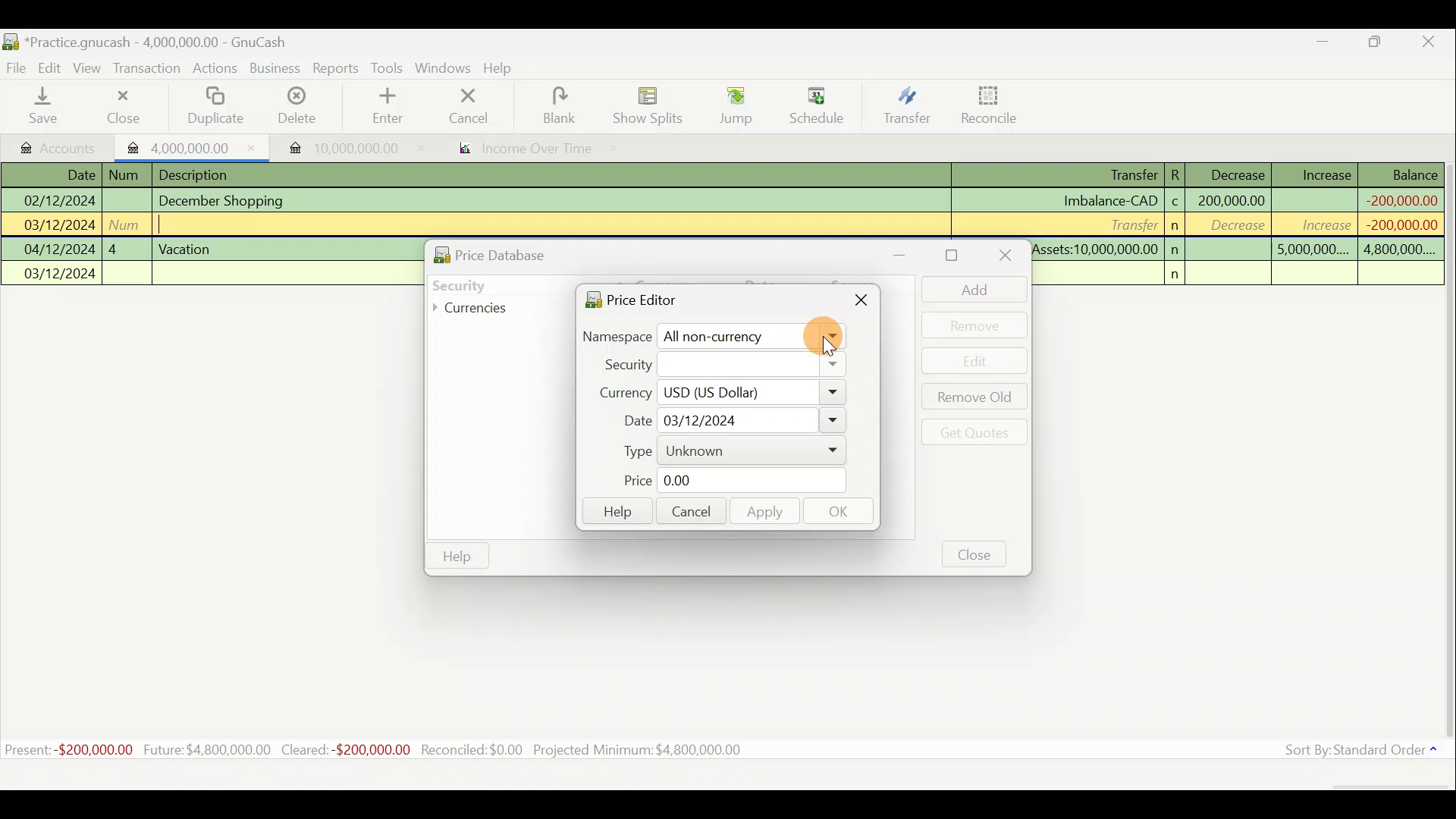  I want to click on December Shopping, so click(228, 201).